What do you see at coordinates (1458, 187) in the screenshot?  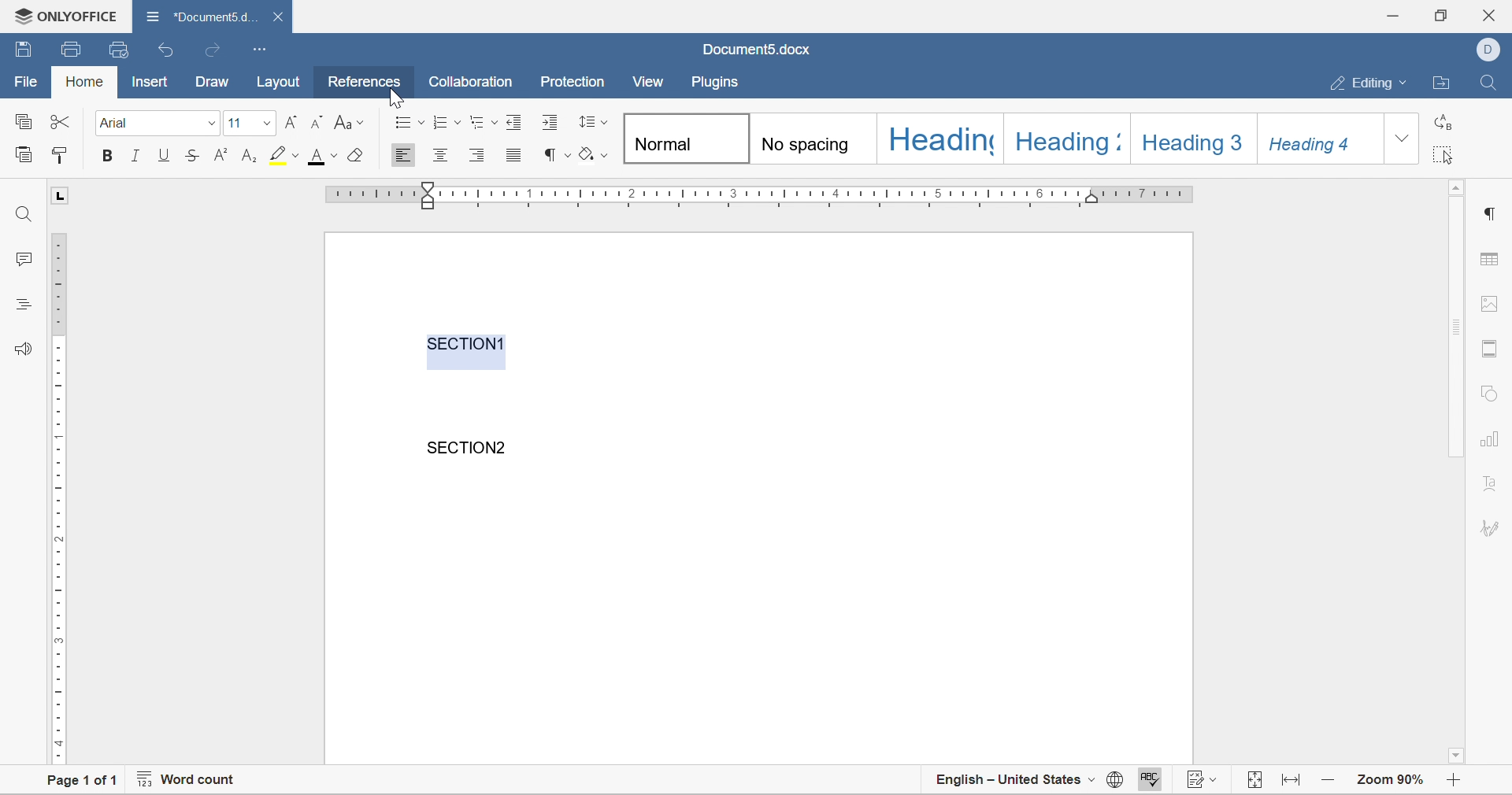 I see `scroll up` at bounding box center [1458, 187].